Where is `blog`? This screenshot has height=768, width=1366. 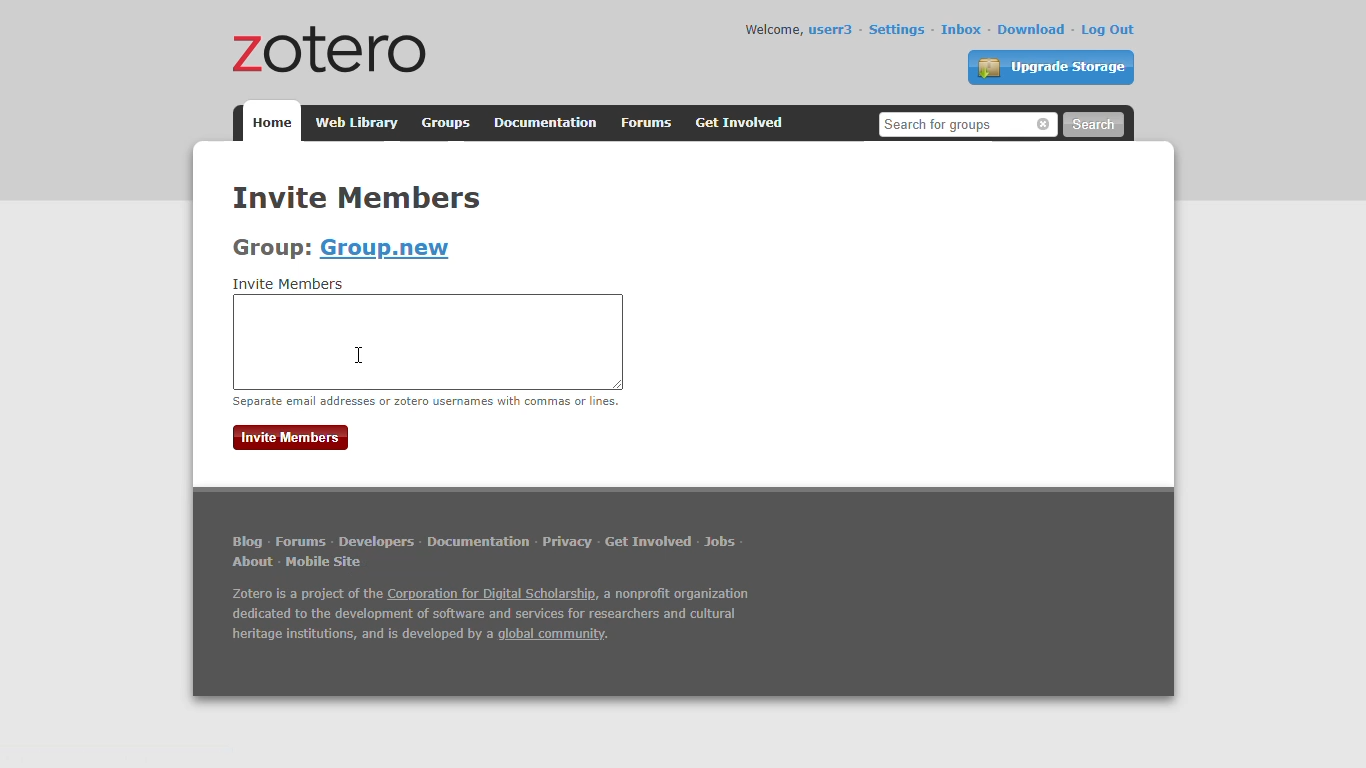
blog is located at coordinates (247, 542).